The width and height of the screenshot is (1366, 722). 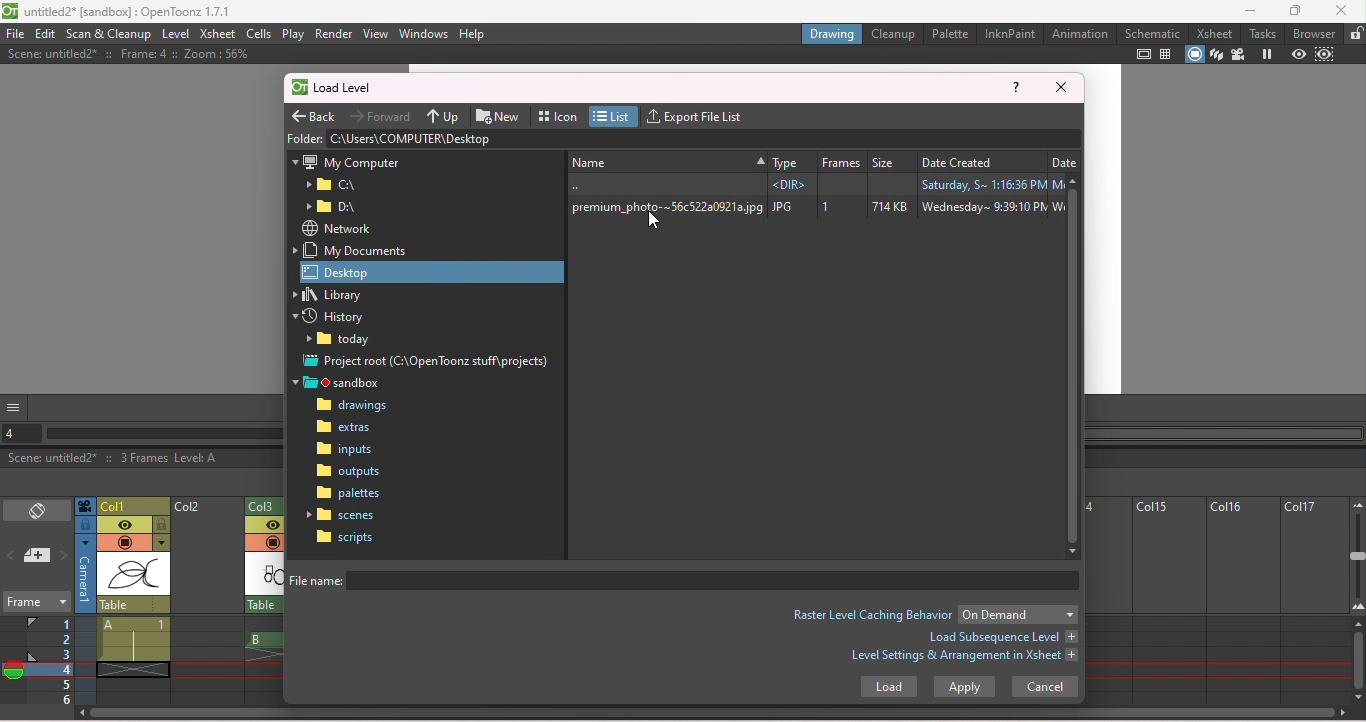 What do you see at coordinates (258, 33) in the screenshot?
I see `Cells` at bounding box center [258, 33].